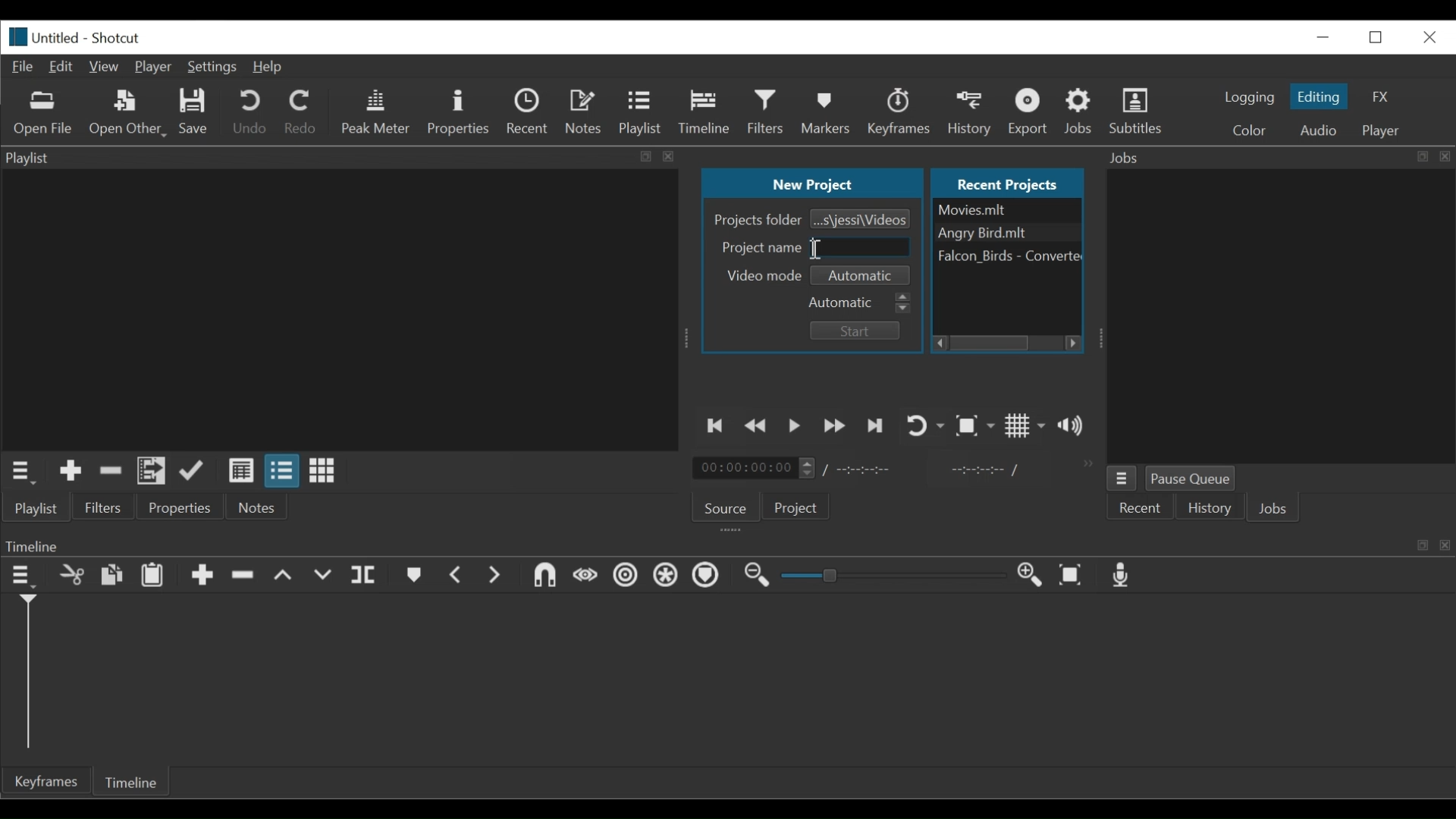 This screenshot has width=1456, height=819. What do you see at coordinates (1026, 426) in the screenshot?
I see `Toggle display grid on the player` at bounding box center [1026, 426].